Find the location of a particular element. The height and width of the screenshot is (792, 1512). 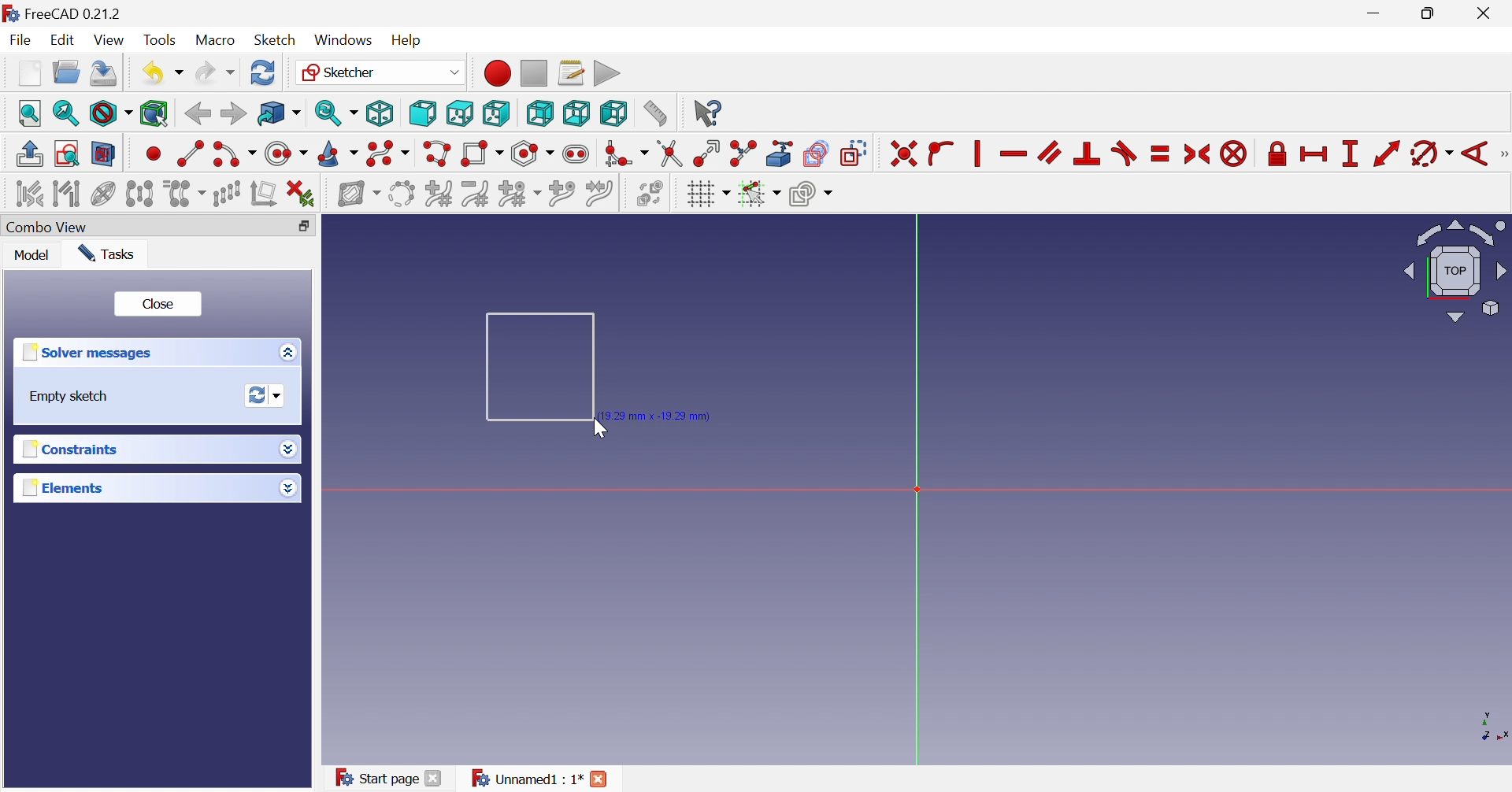

What's this? is located at coordinates (706, 113).